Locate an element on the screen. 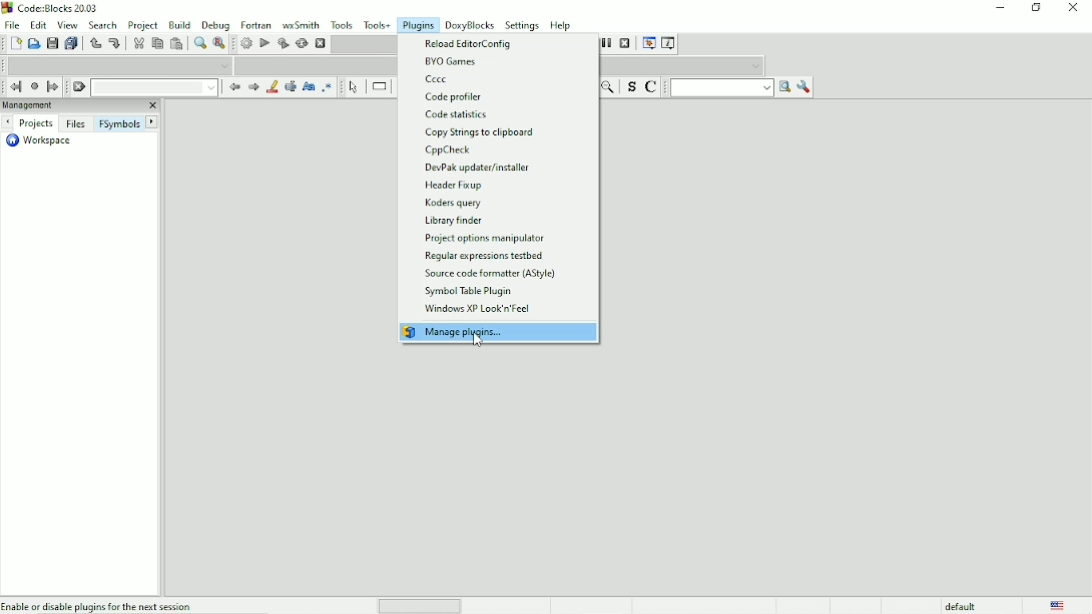  Zoom out is located at coordinates (608, 87).